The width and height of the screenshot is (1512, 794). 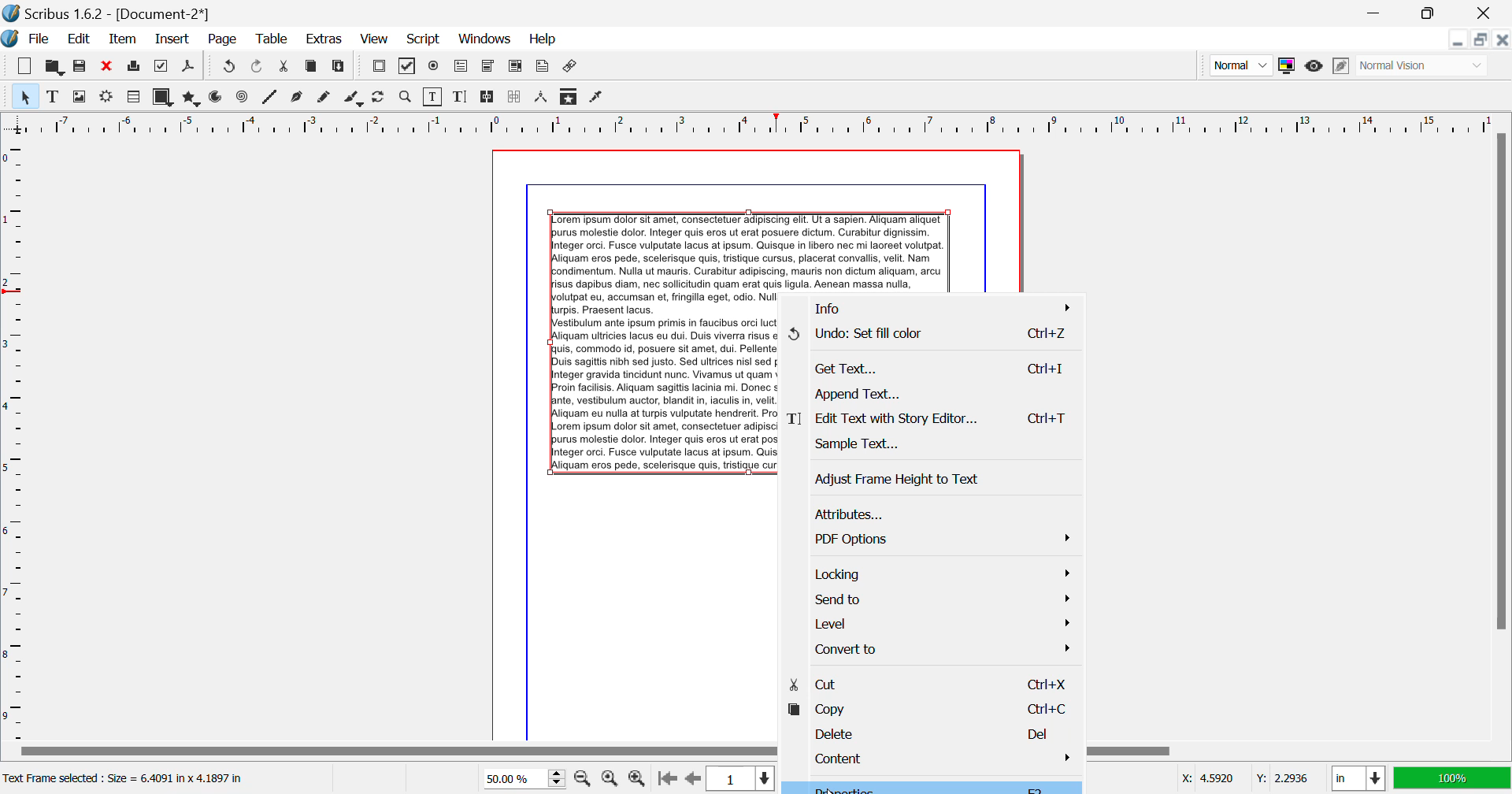 What do you see at coordinates (124, 39) in the screenshot?
I see `Item` at bounding box center [124, 39].